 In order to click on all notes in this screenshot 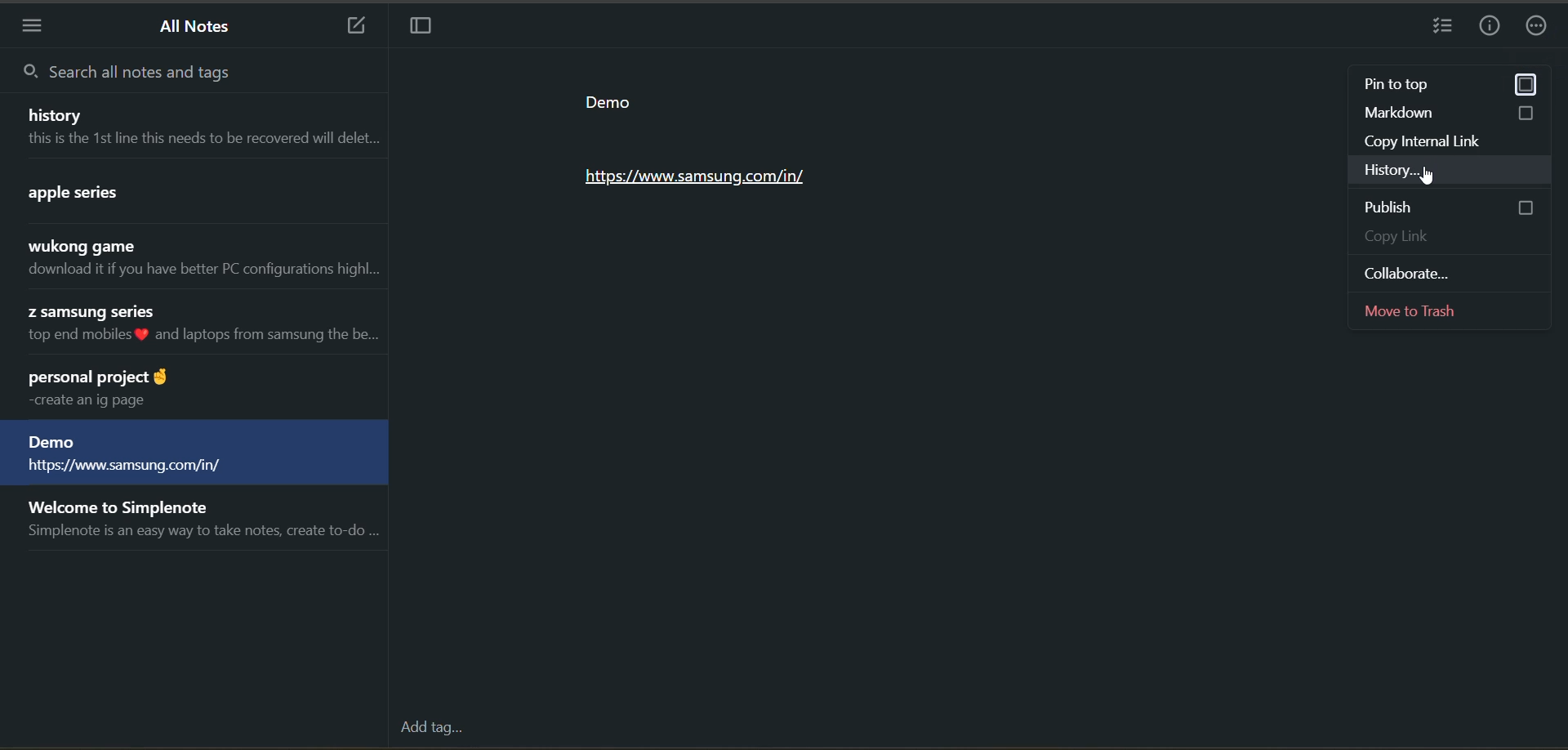, I will do `click(199, 28)`.